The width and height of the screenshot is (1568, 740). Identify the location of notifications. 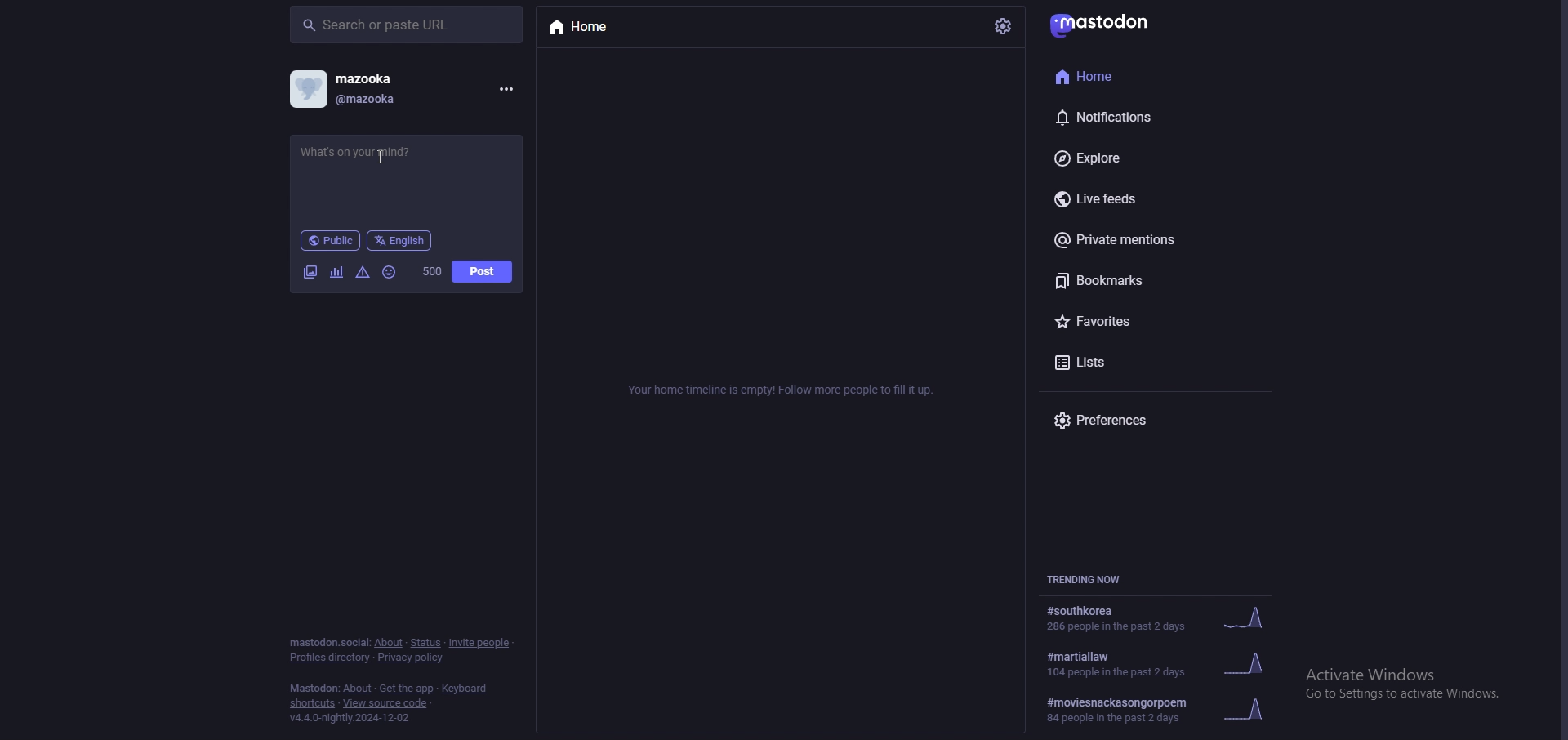
(1134, 114).